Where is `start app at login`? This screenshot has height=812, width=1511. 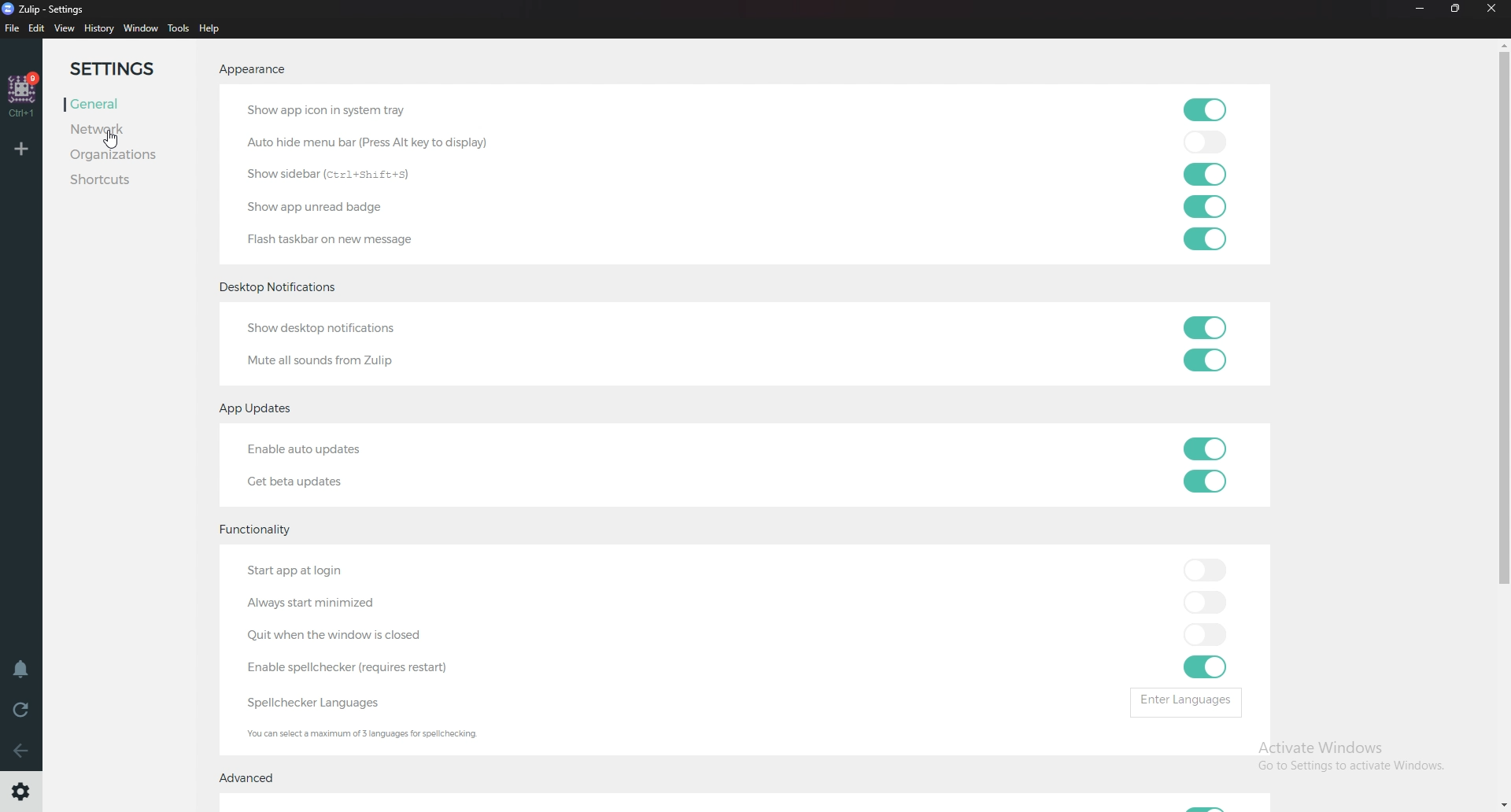
start app at login is located at coordinates (323, 573).